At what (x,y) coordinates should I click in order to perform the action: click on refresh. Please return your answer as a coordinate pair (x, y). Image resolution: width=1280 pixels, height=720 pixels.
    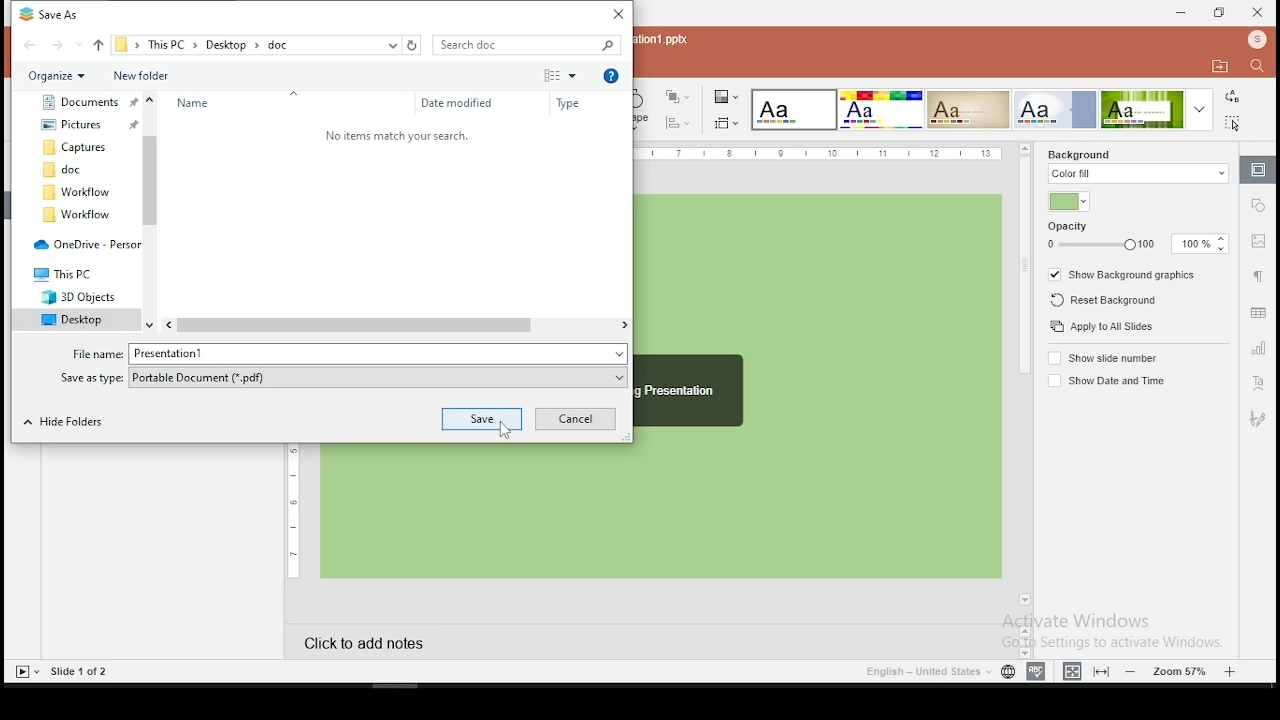
    Looking at the image, I should click on (414, 45).